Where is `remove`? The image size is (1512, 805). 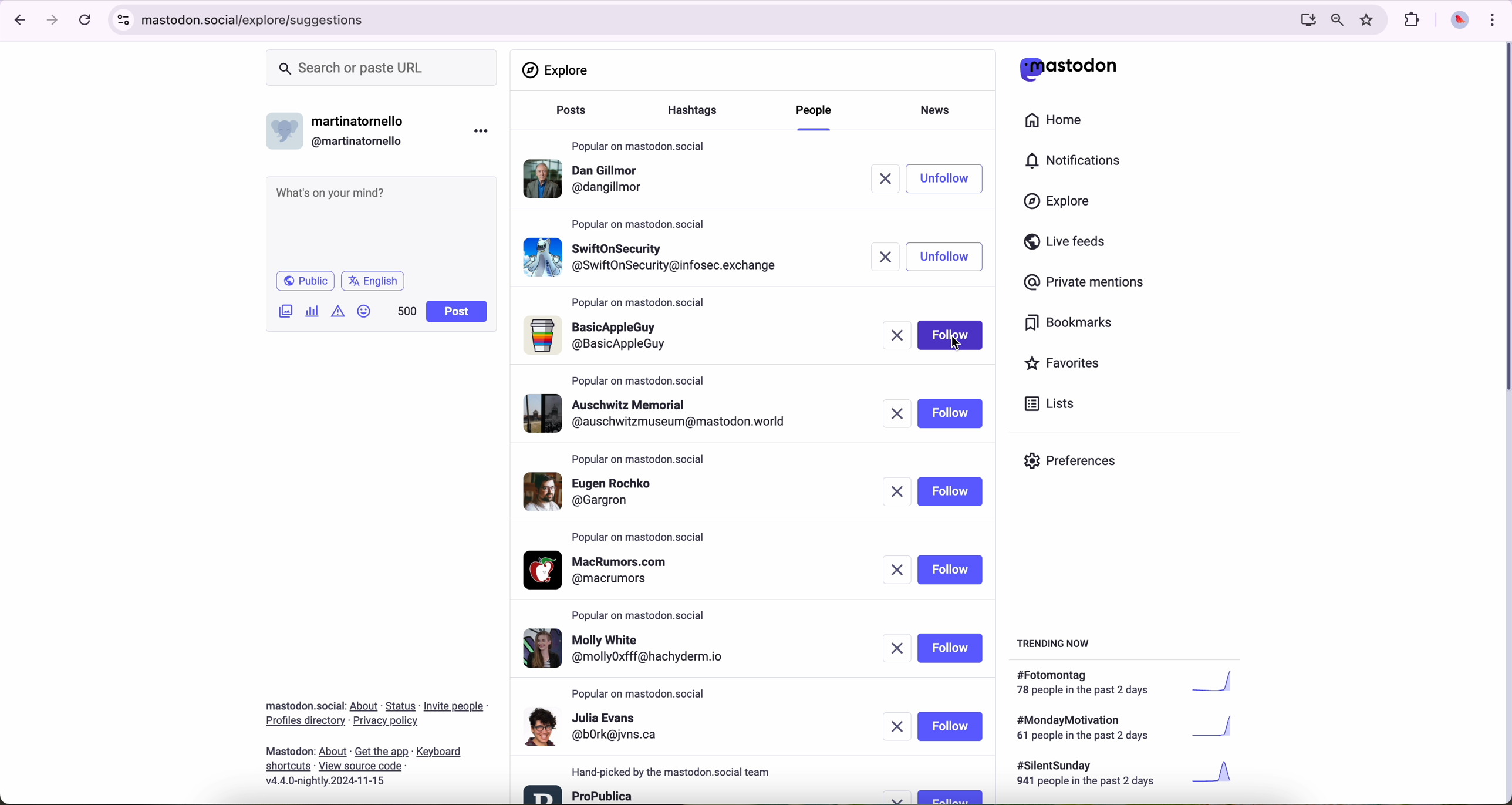 remove is located at coordinates (900, 797).